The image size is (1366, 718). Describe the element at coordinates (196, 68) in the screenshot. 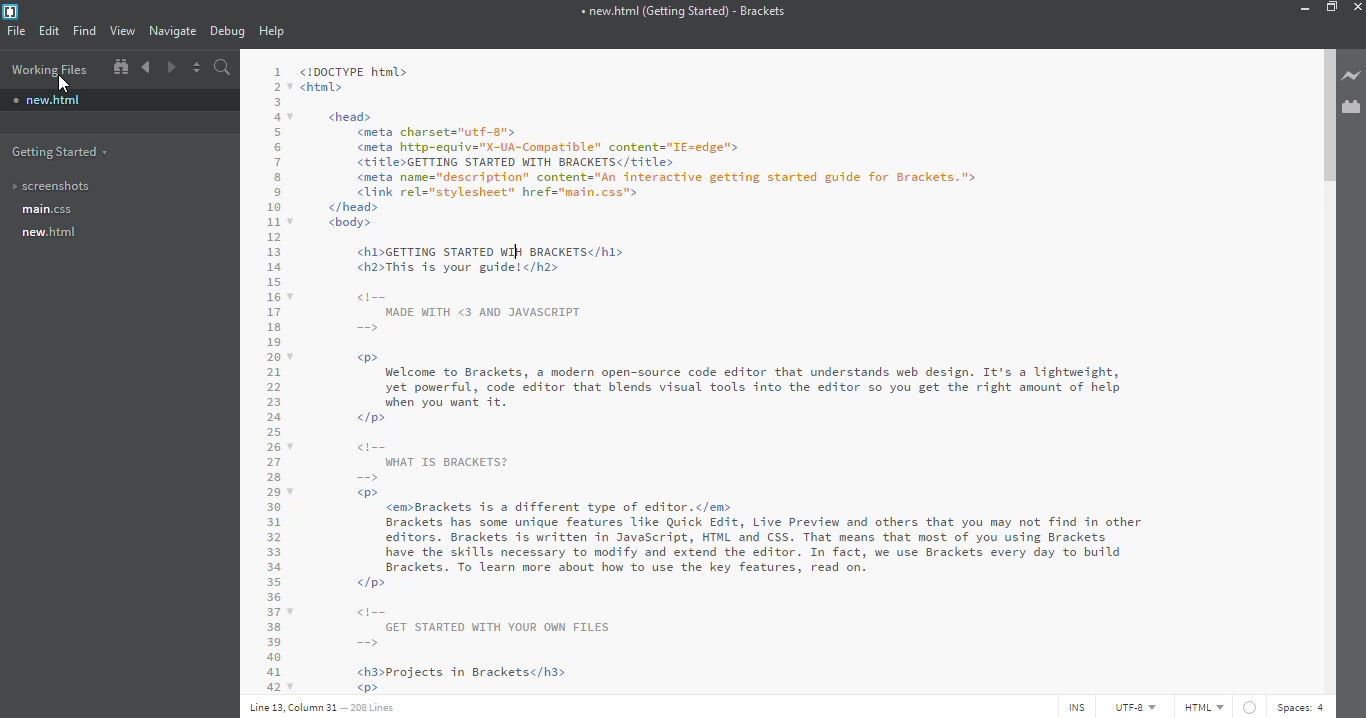

I see `split the editor` at that location.